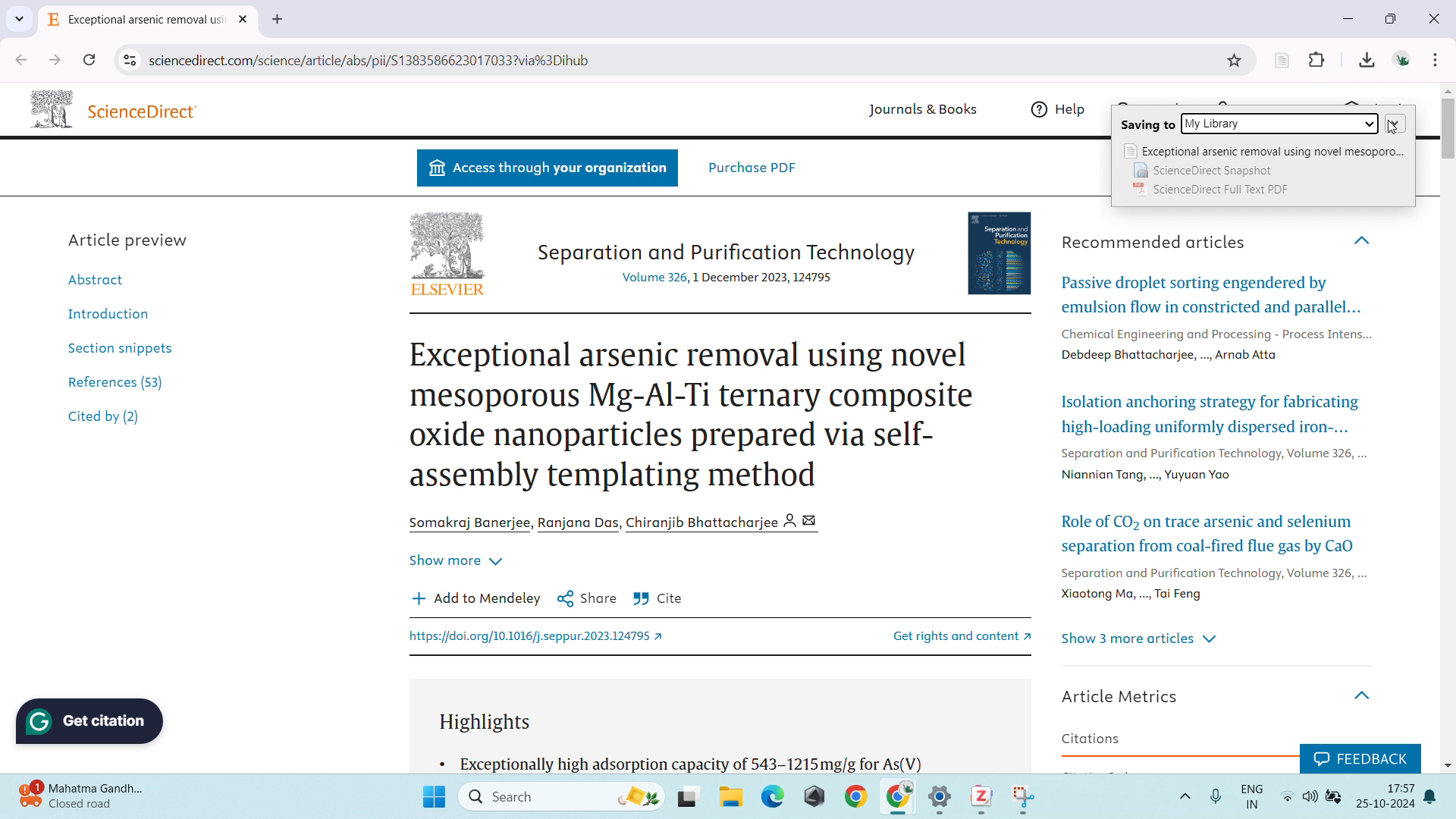 Image resolution: width=1456 pixels, height=819 pixels. What do you see at coordinates (1210, 531) in the screenshot?
I see `Role of CO2 on trace arsenic and selenium separation from coal-fired flue gas by CaO` at bounding box center [1210, 531].